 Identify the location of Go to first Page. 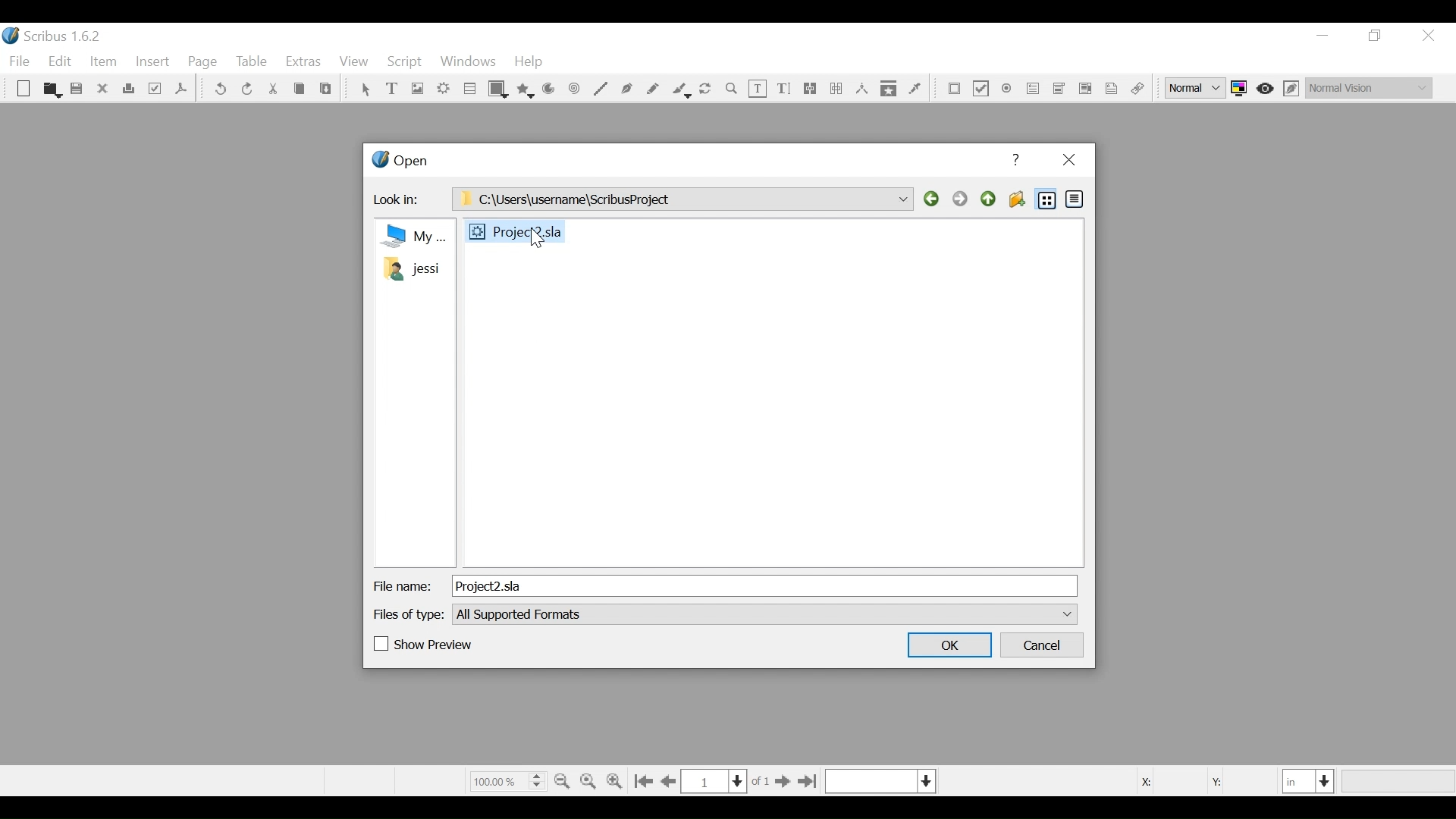
(645, 781).